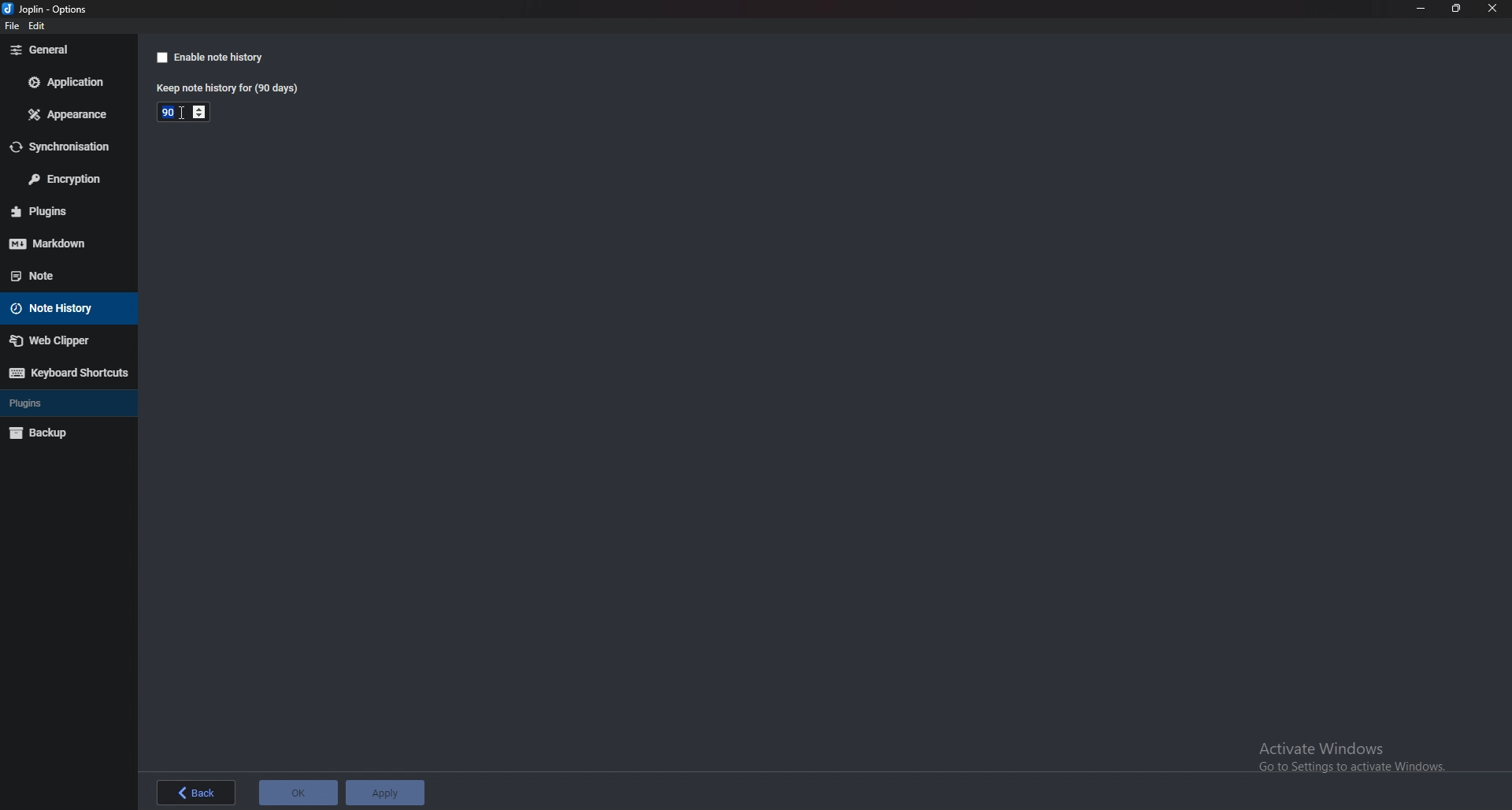 Image resolution: width=1512 pixels, height=810 pixels. Describe the element at coordinates (39, 26) in the screenshot. I see `edit` at that location.